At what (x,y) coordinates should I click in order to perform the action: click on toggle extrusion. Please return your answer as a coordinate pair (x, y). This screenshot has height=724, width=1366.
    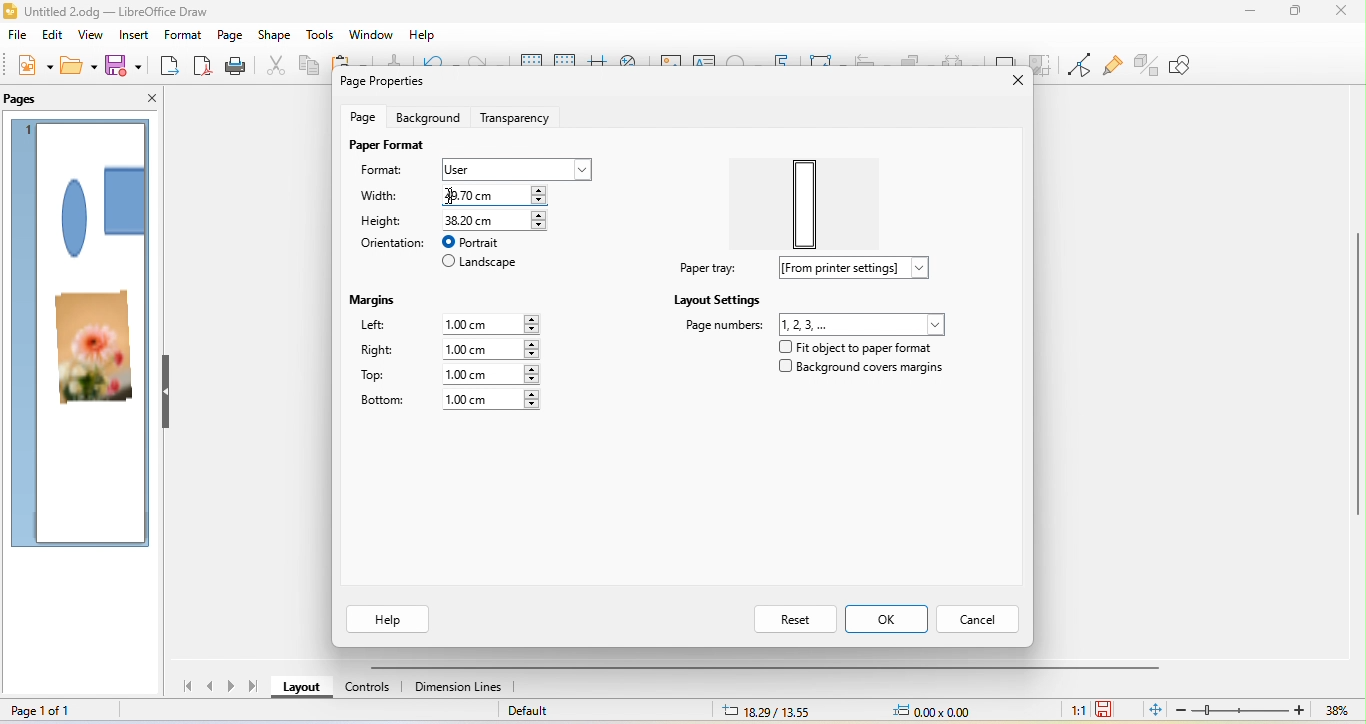
    Looking at the image, I should click on (1146, 64).